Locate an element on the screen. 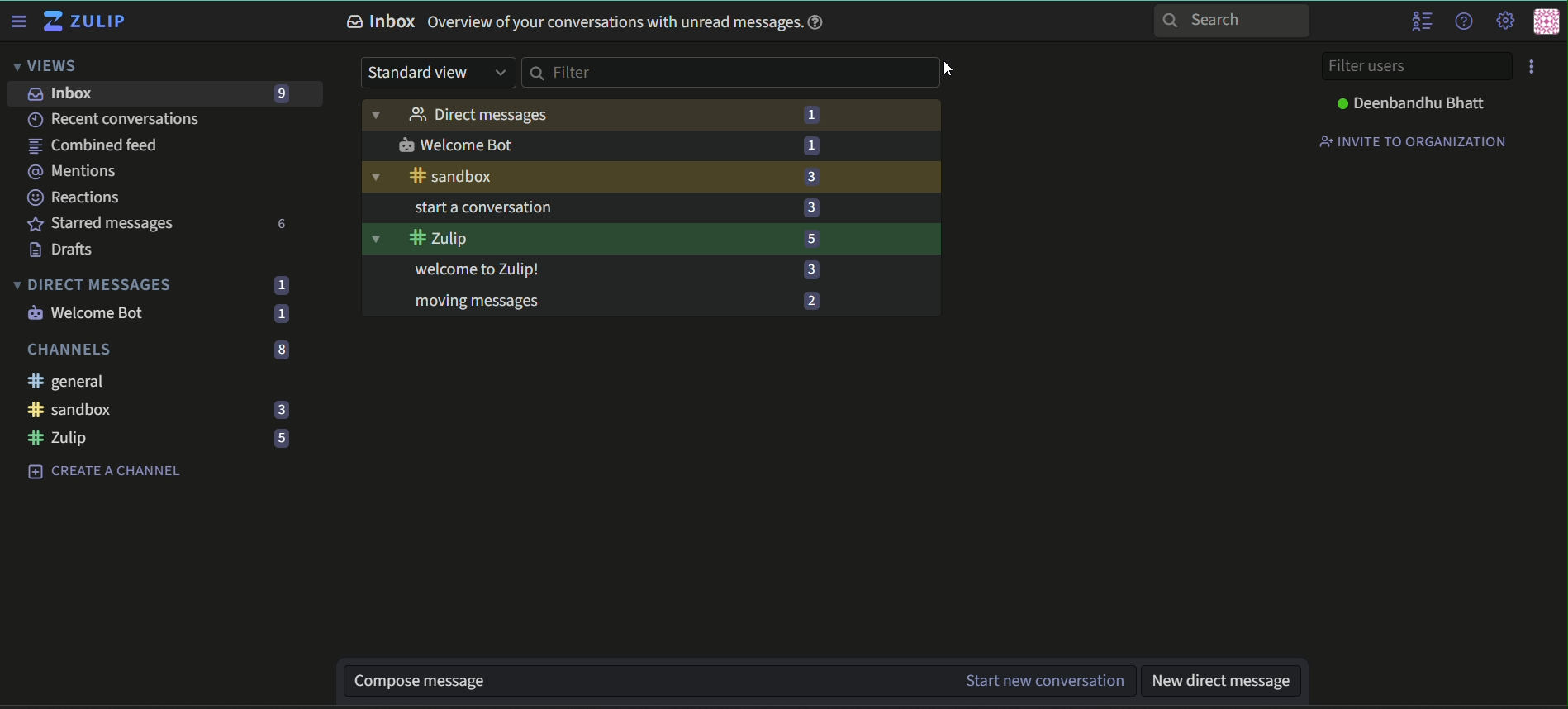 This screenshot has width=1568, height=709. numbers is located at coordinates (278, 349).